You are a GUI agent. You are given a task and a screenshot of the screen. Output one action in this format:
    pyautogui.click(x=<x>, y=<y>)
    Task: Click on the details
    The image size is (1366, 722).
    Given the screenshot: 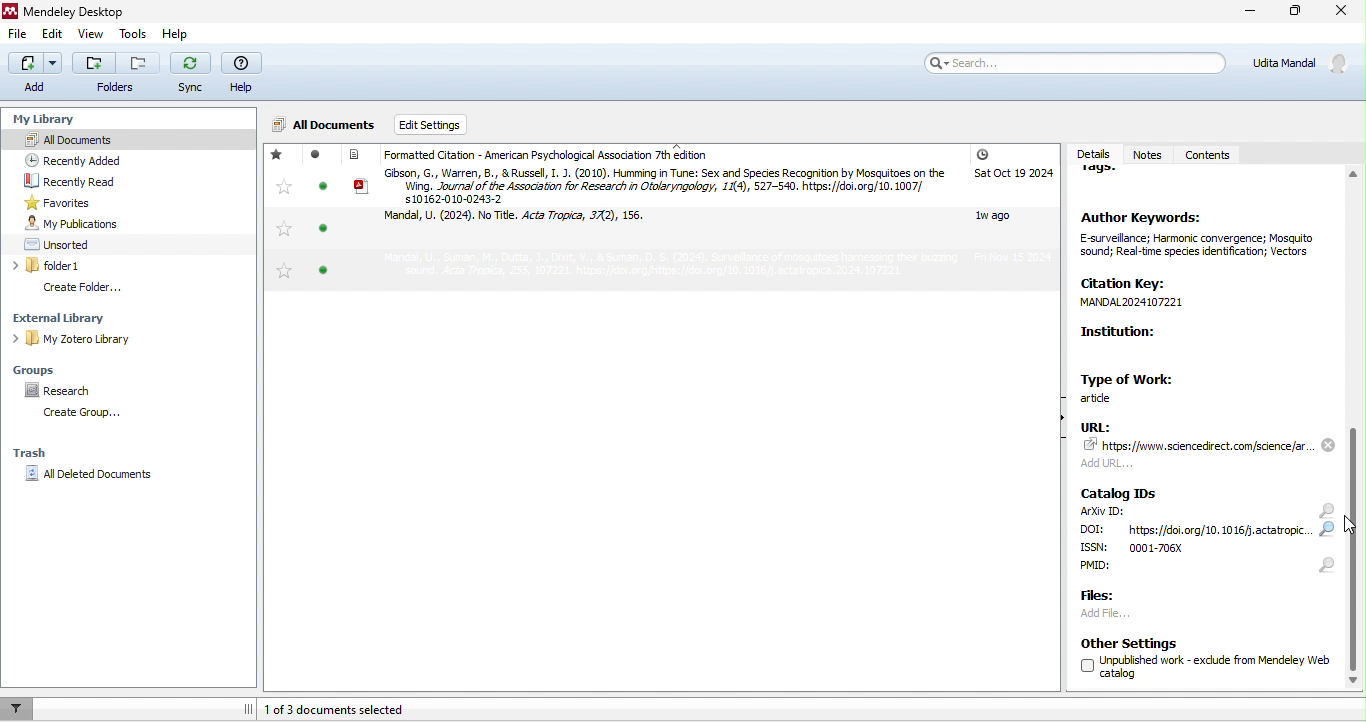 What is the action you would take?
    pyautogui.click(x=1091, y=149)
    